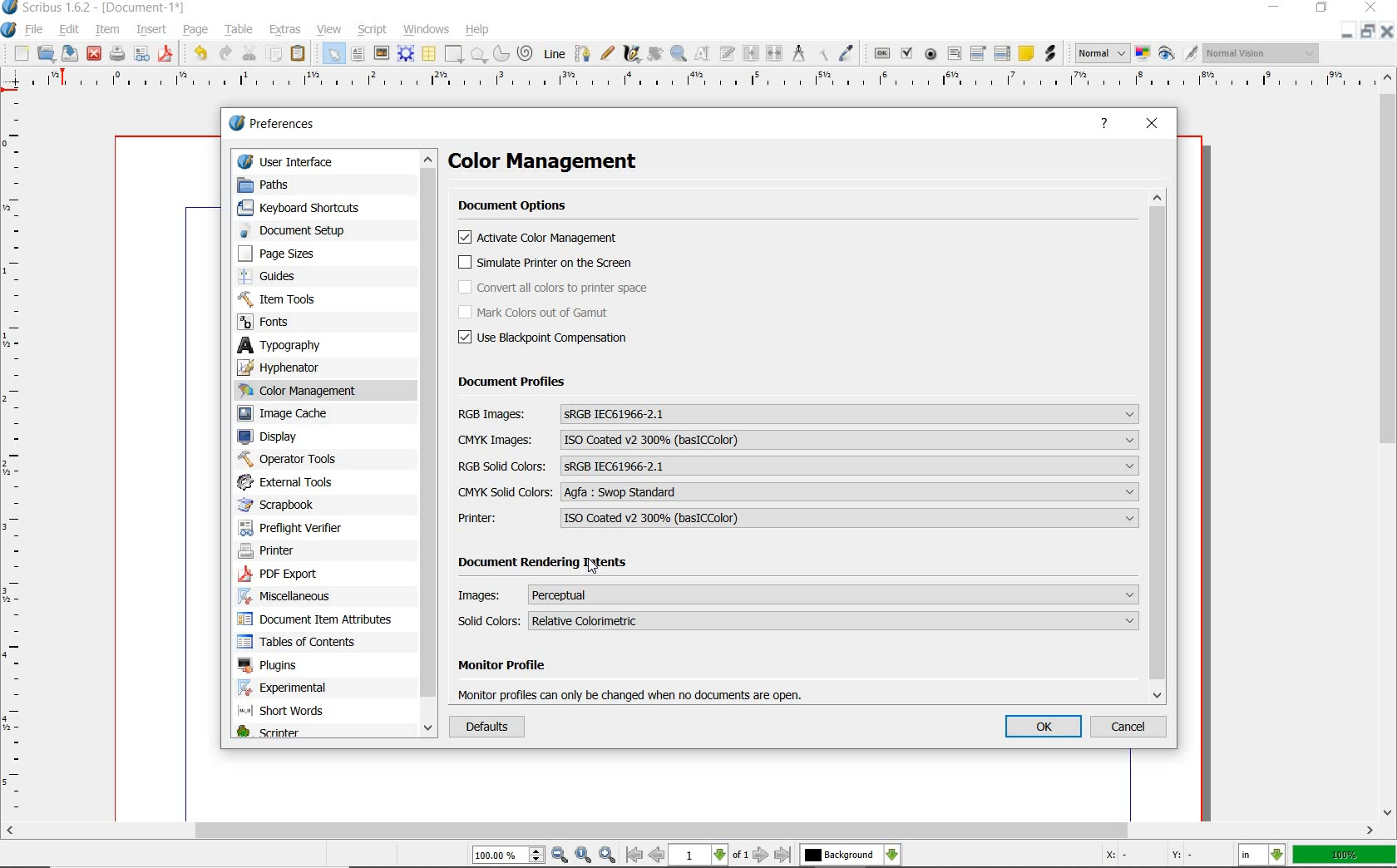  Describe the element at coordinates (1371, 8) in the screenshot. I see `close` at that location.